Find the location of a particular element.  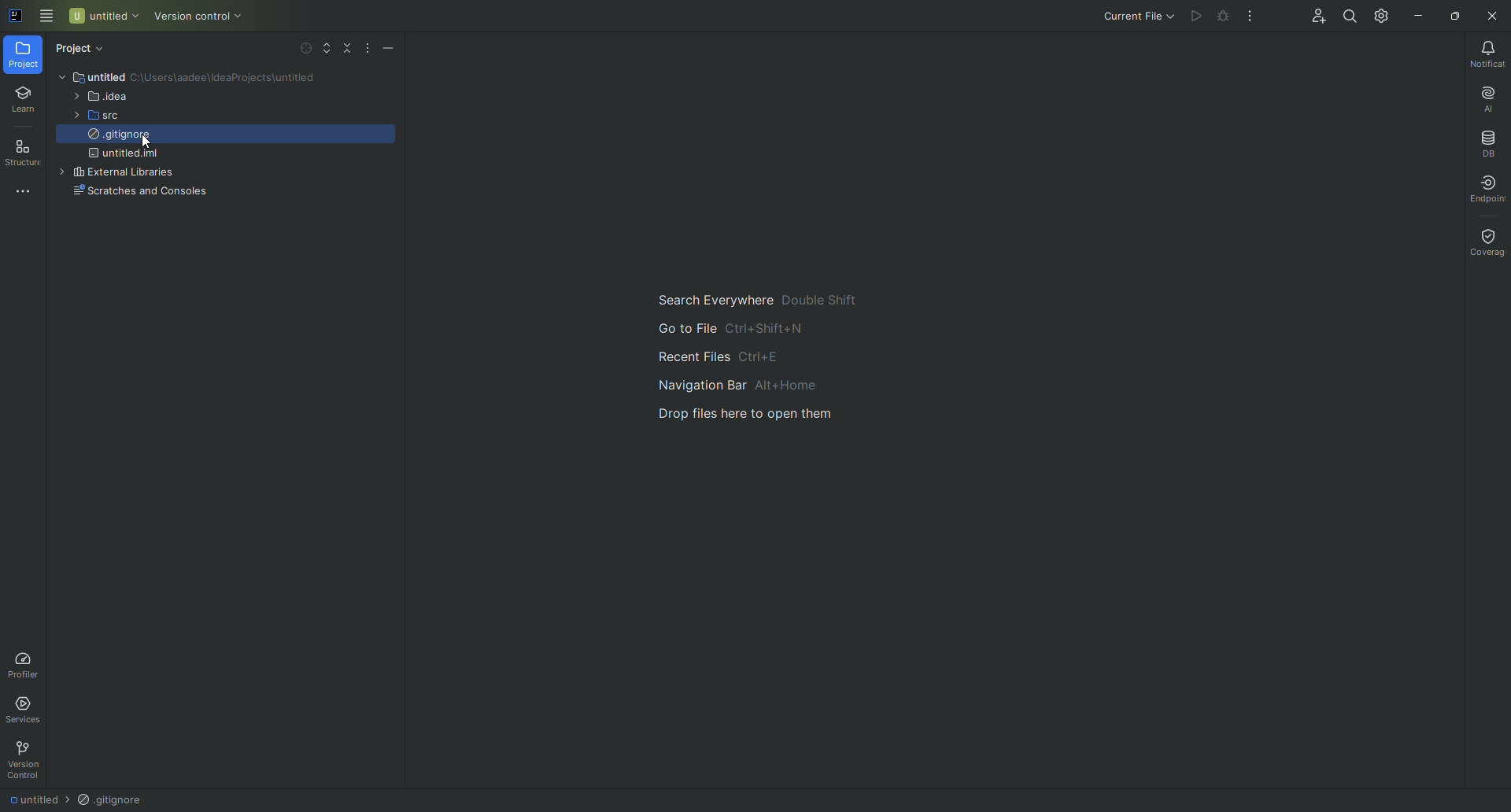

More tools is located at coordinates (26, 190).